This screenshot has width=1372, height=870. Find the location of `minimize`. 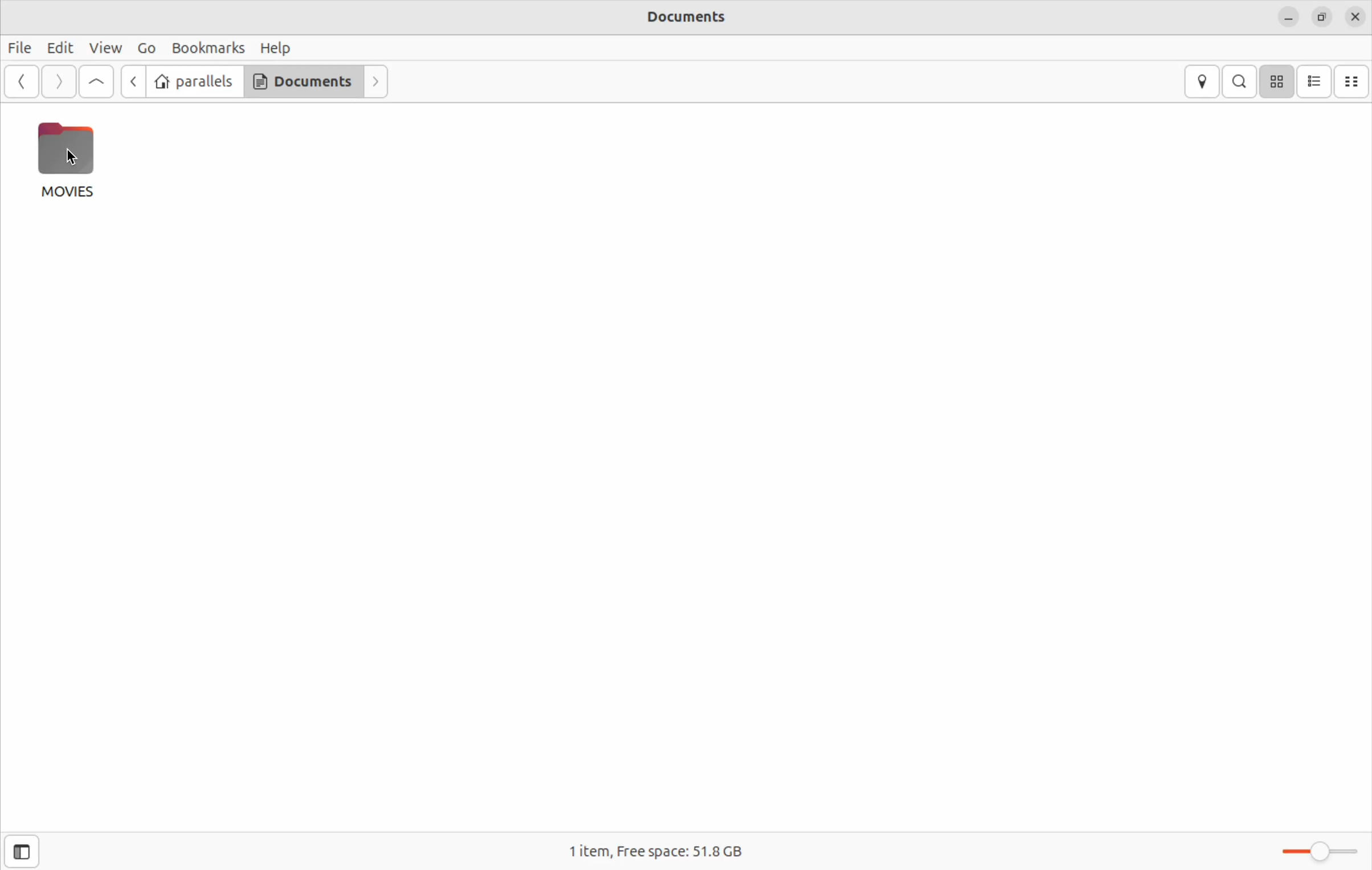

minimize is located at coordinates (1288, 15).